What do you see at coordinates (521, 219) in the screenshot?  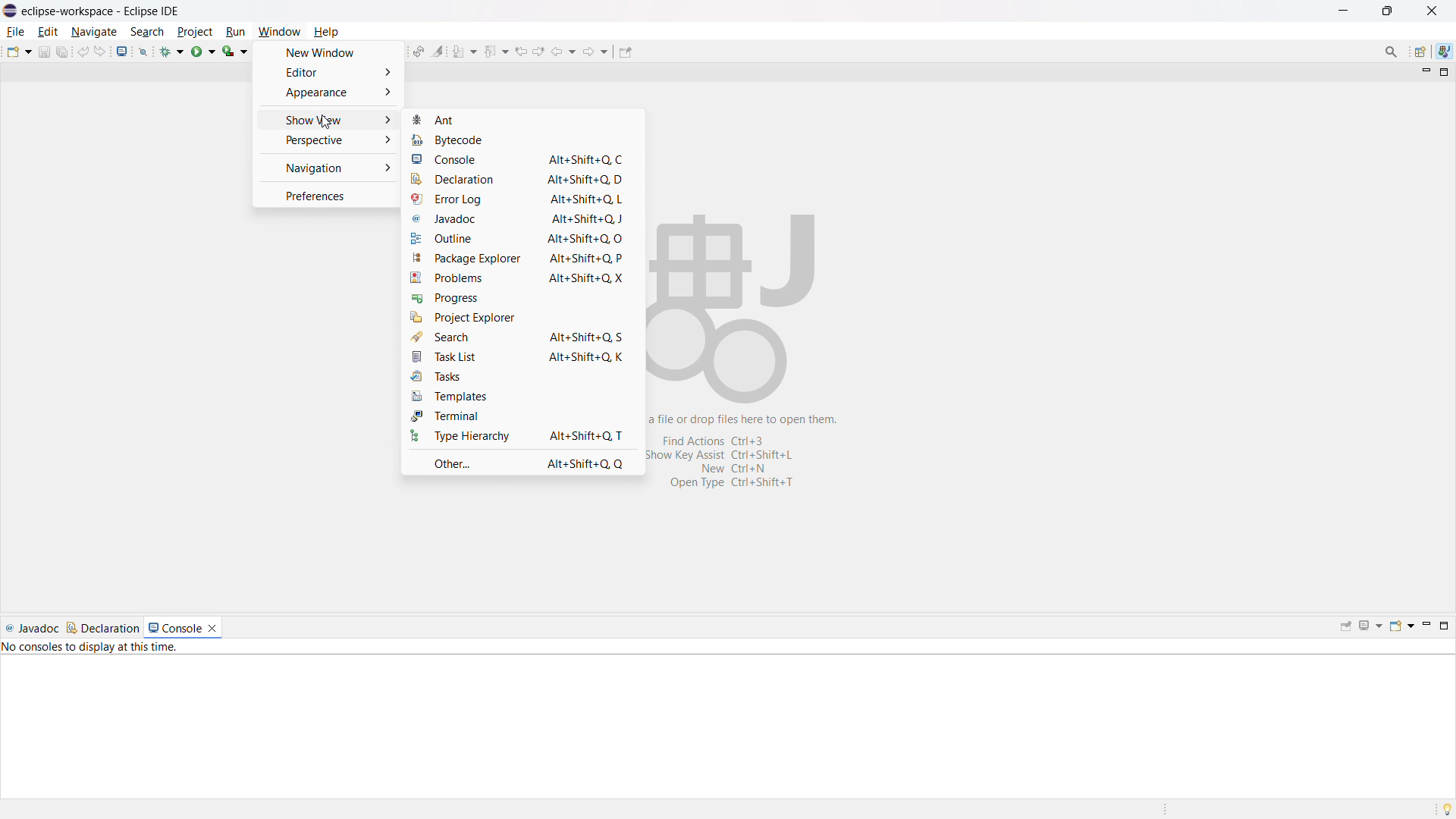 I see `javadoc` at bounding box center [521, 219].